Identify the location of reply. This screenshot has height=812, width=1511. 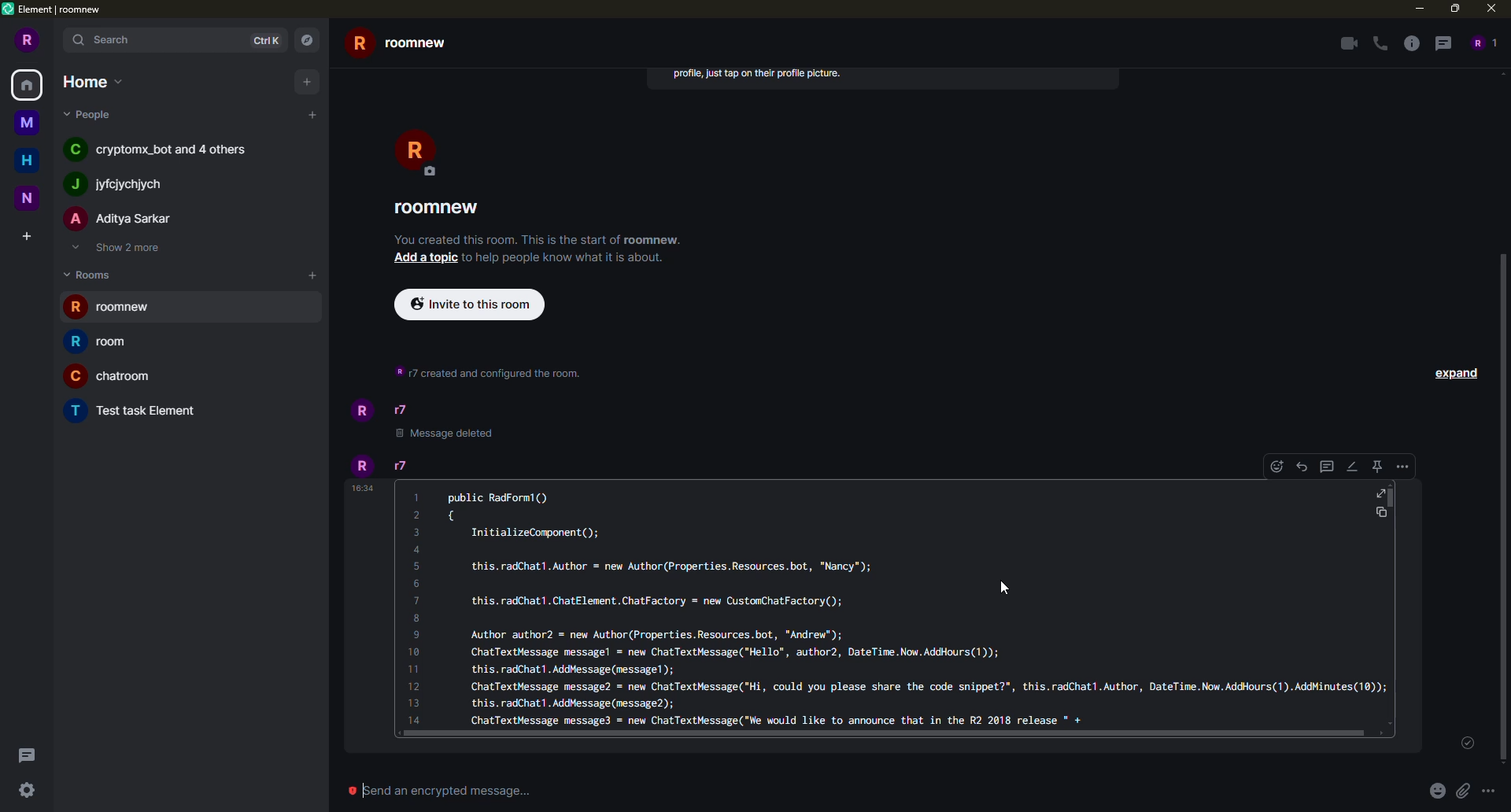
(1301, 469).